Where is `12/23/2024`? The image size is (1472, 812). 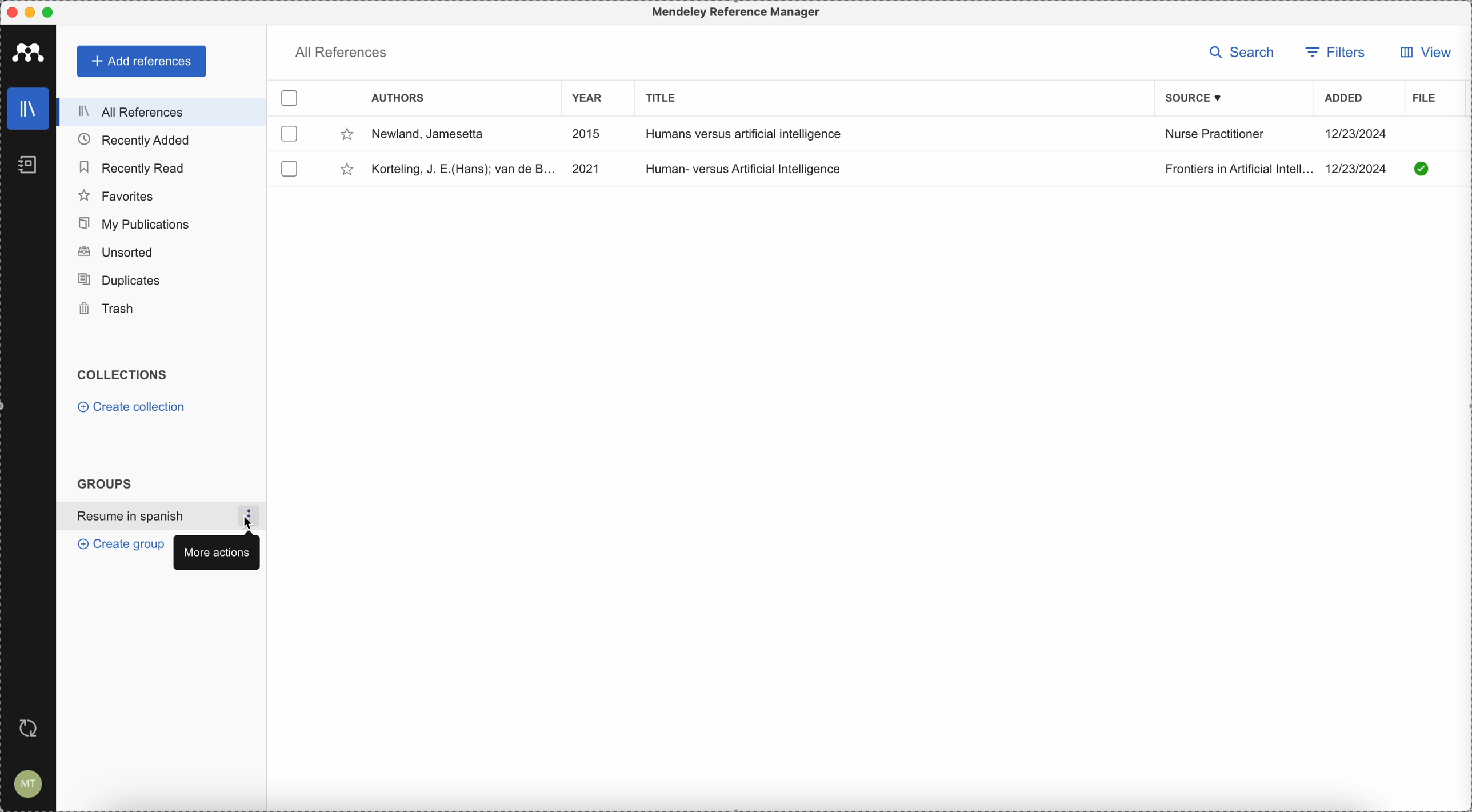
12/23/2024 is located at coordinates (1361, 169).